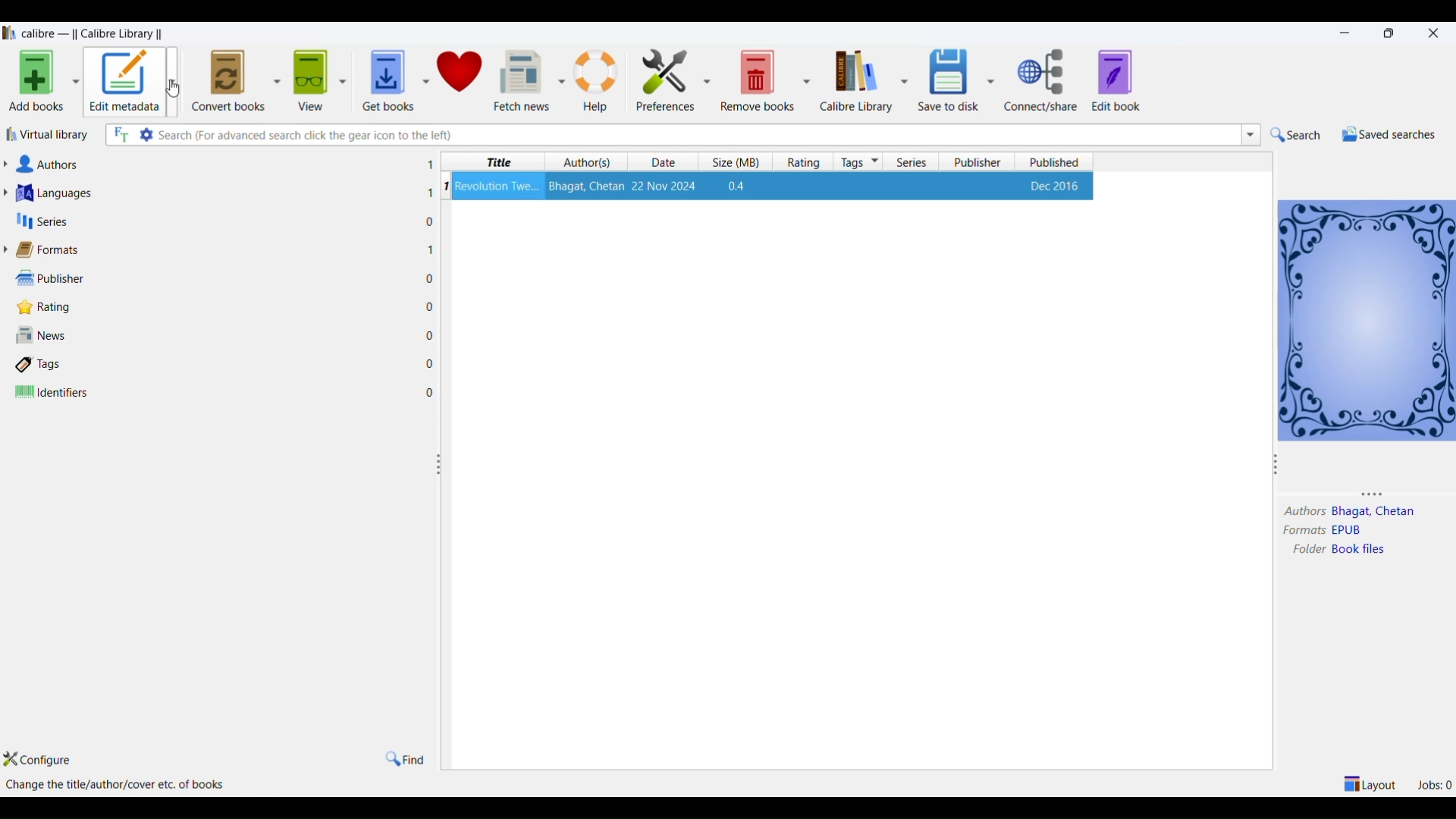 The image size is (1456, 819). Describe the element at coordinates (588, 162) in the screenshot. I see `authors` at that location.